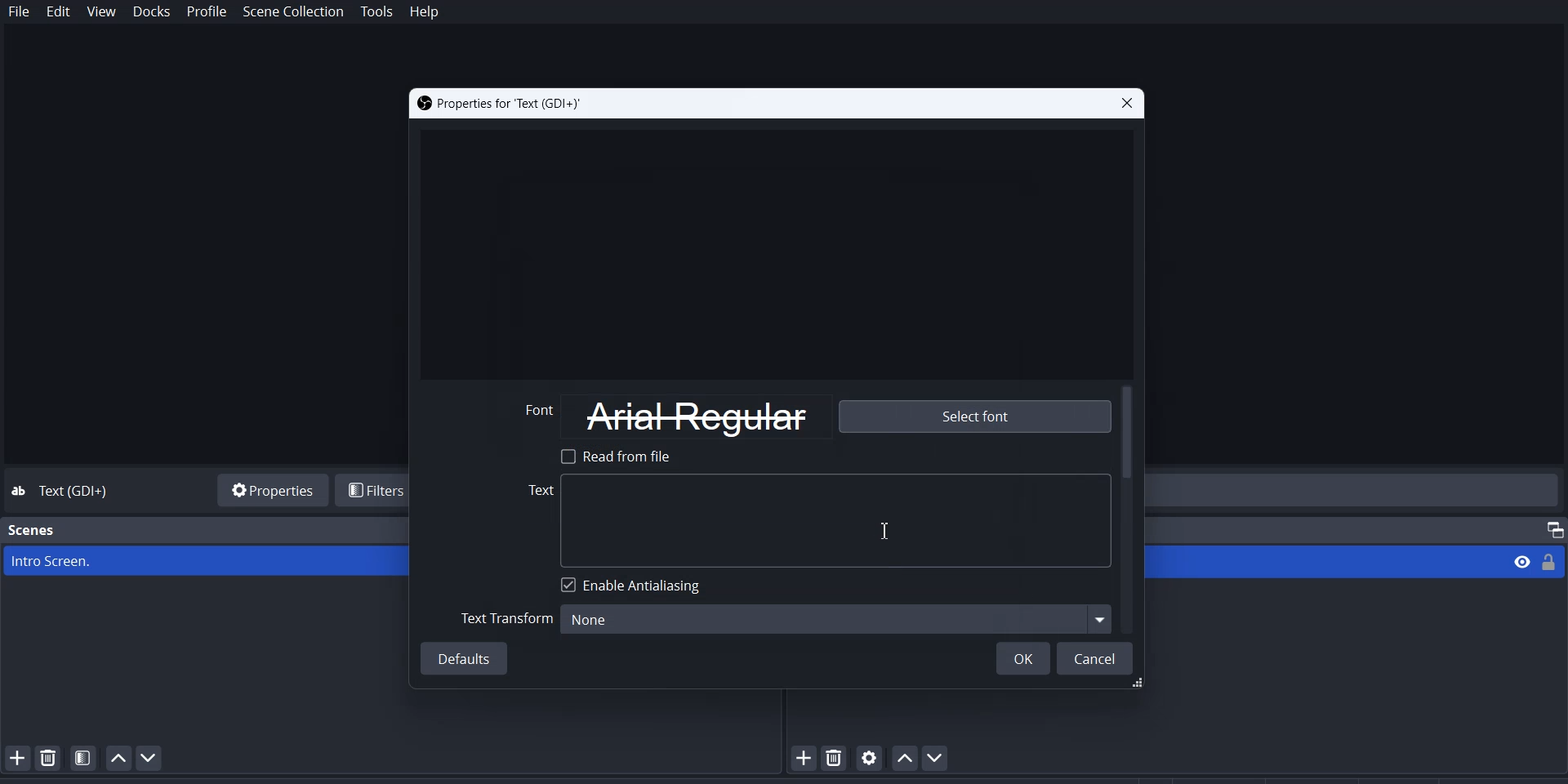  What do you see at coordinates (207, 12) in the screenshot?
I see `Profile` at bounding box center [207, 12].